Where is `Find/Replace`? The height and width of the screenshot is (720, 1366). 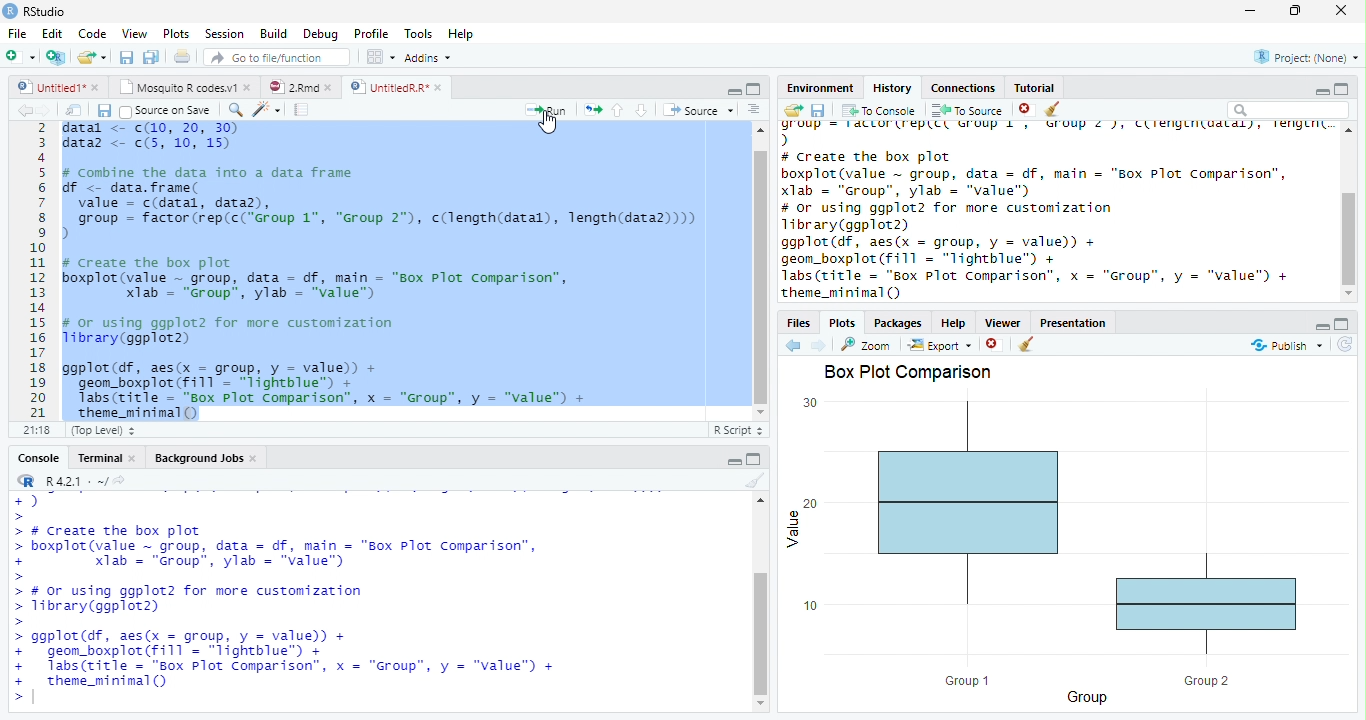 Find/Replace is located at coordinates (235, 110).